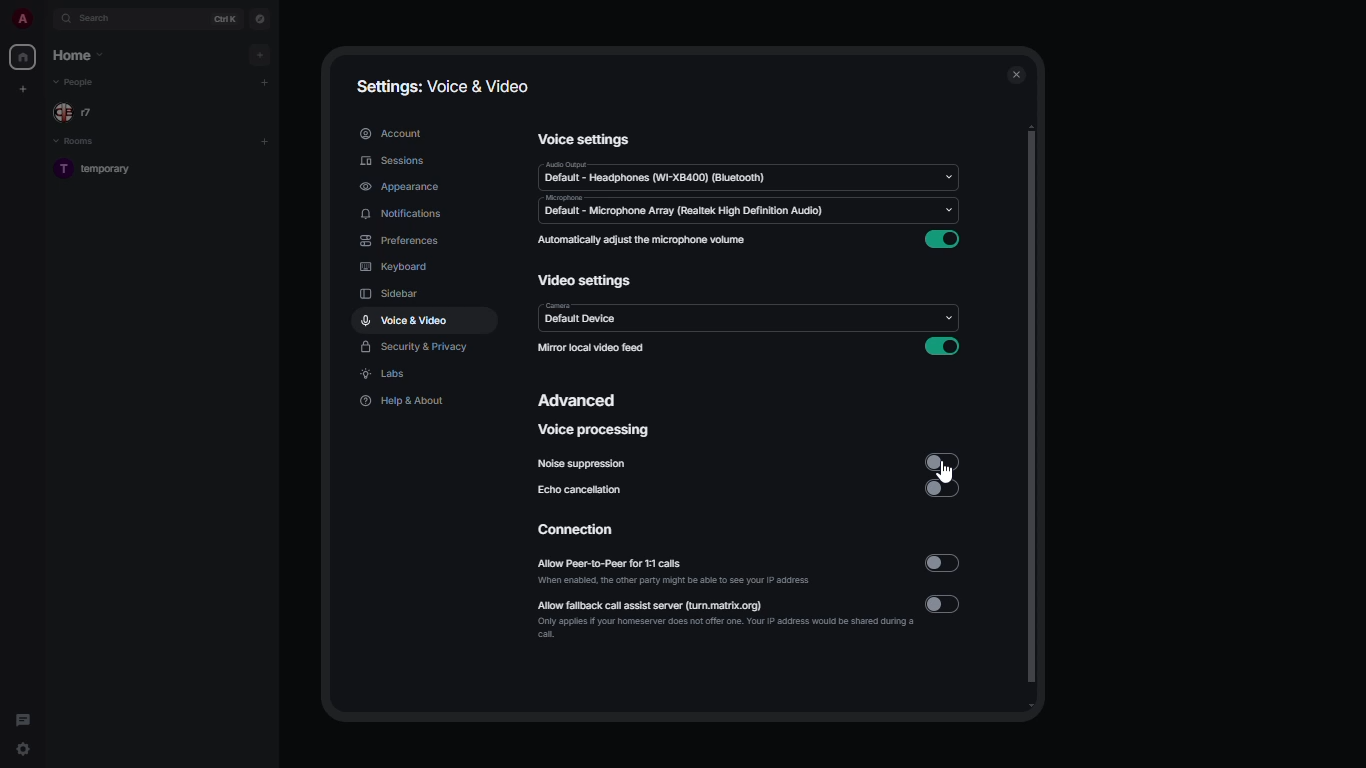 The width and height of the screenshot is (1366, 768). What do you see at coordinates (594, 431) in the screenshot?
I see `voice processing` at bounding box center [594, 431].